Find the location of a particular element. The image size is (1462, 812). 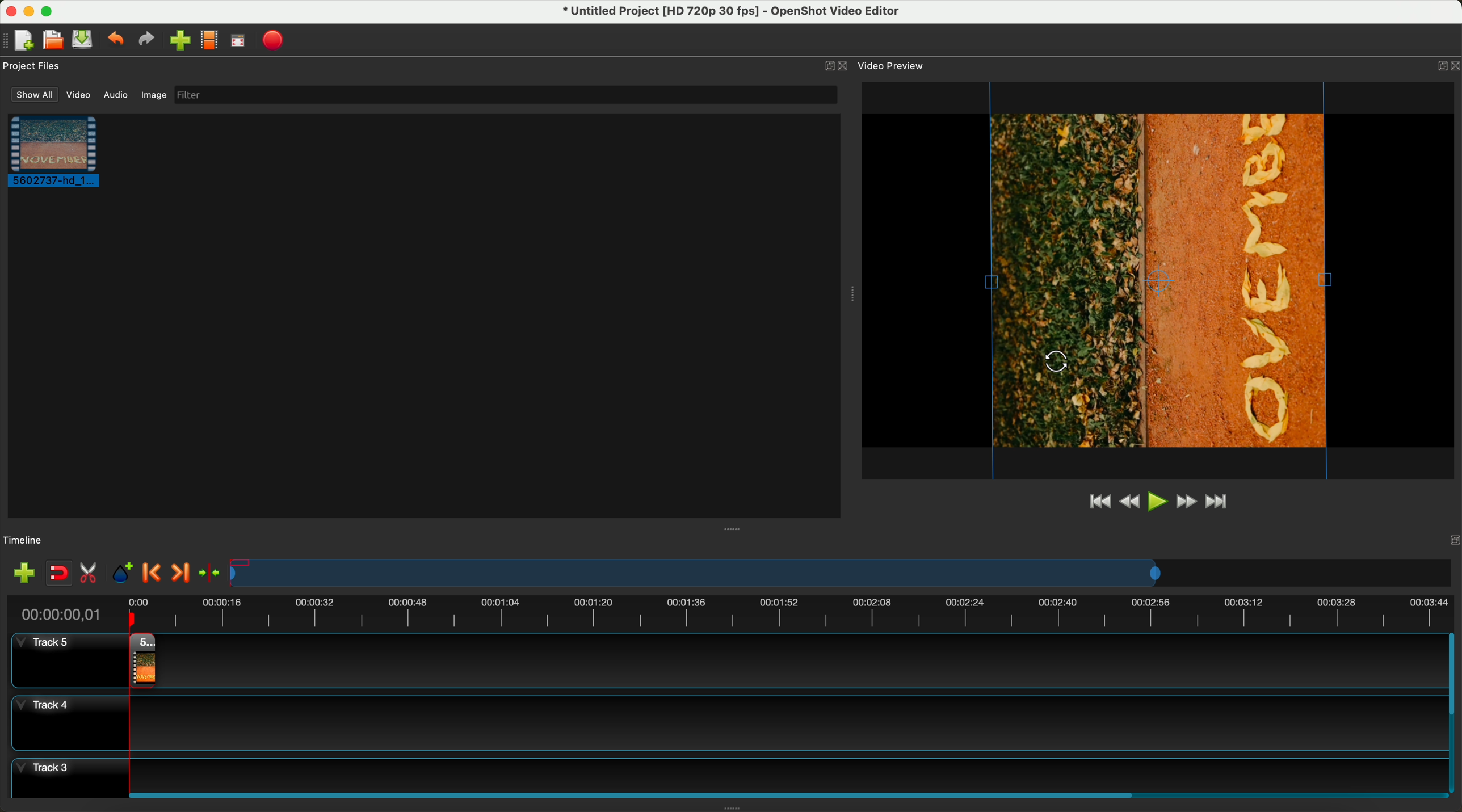

maximize is located at coordinates (50, 11).